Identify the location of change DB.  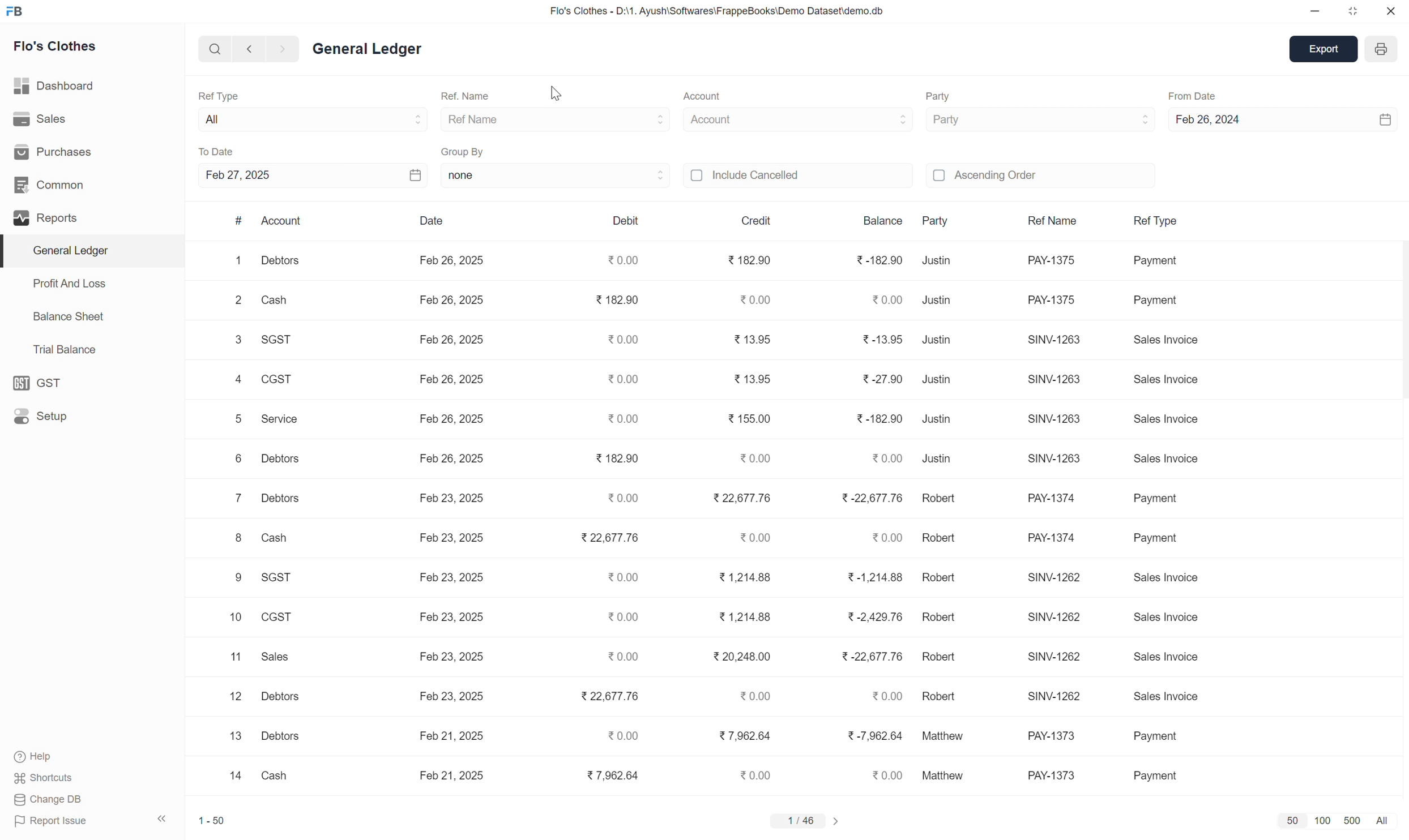
(50, 799).